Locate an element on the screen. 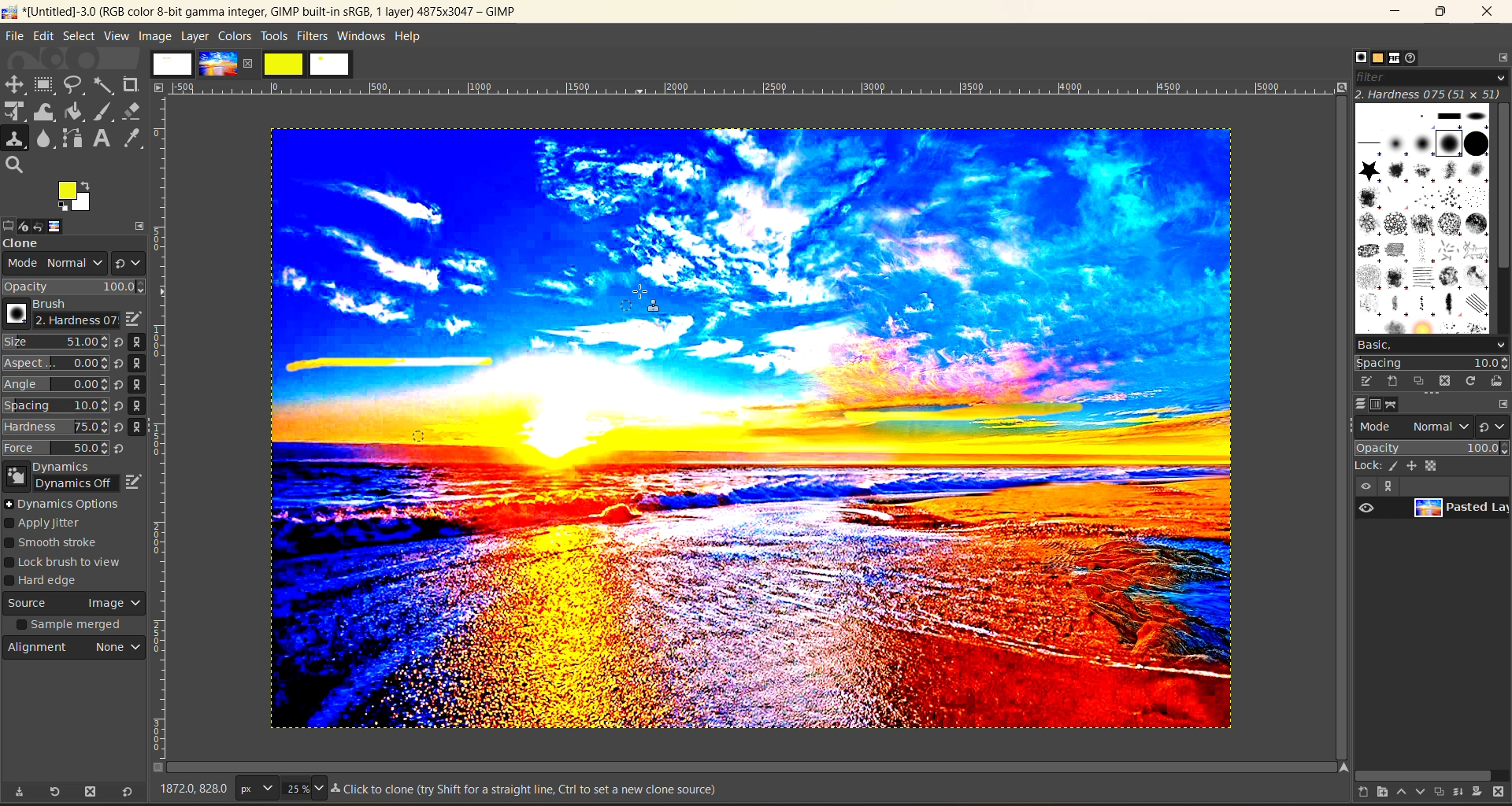 The image size is (1512, 806). create a new layer group is located at coordinates (1374, 793).